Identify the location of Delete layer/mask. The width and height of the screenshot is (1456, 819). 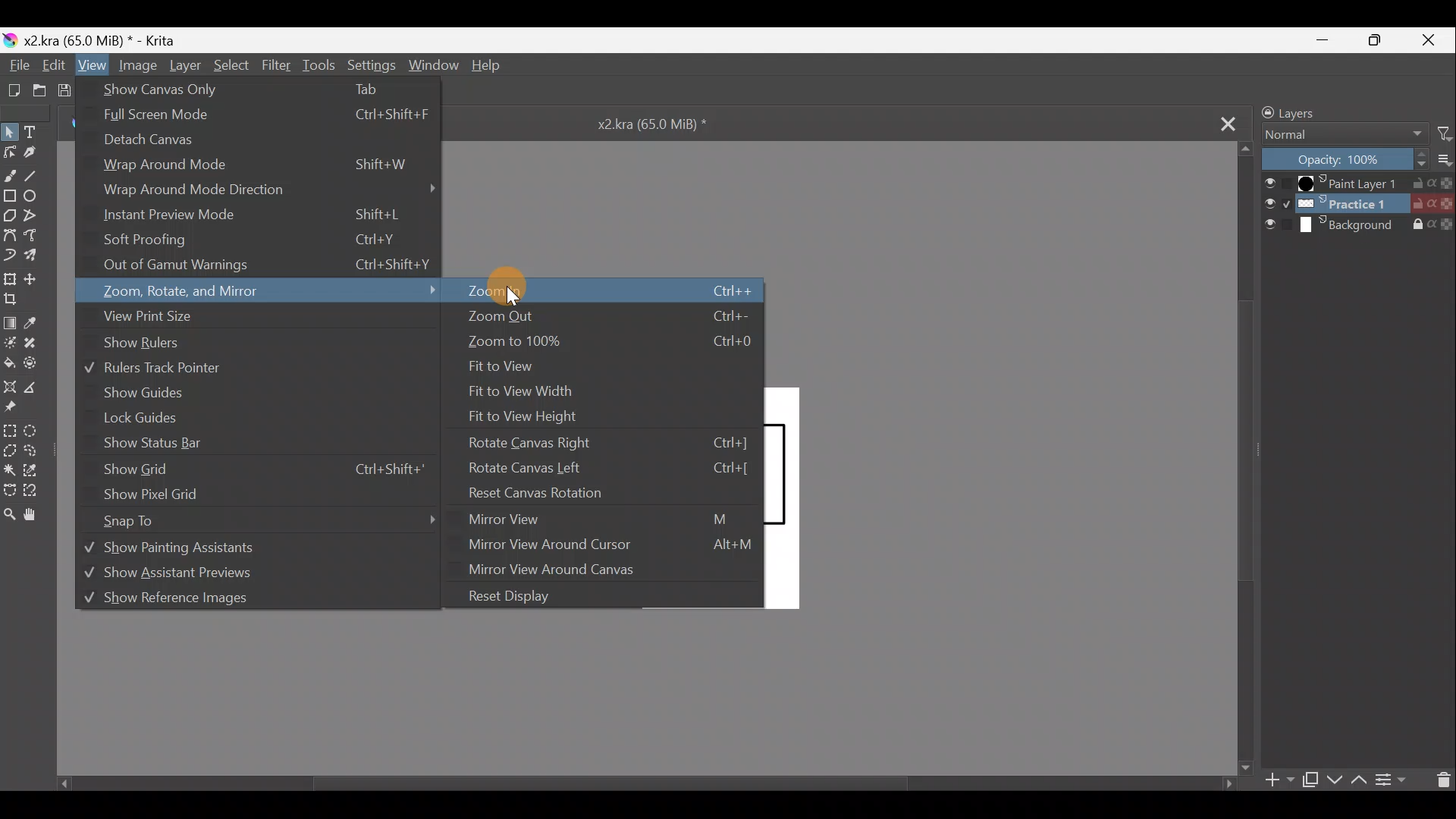
(1444, 780).